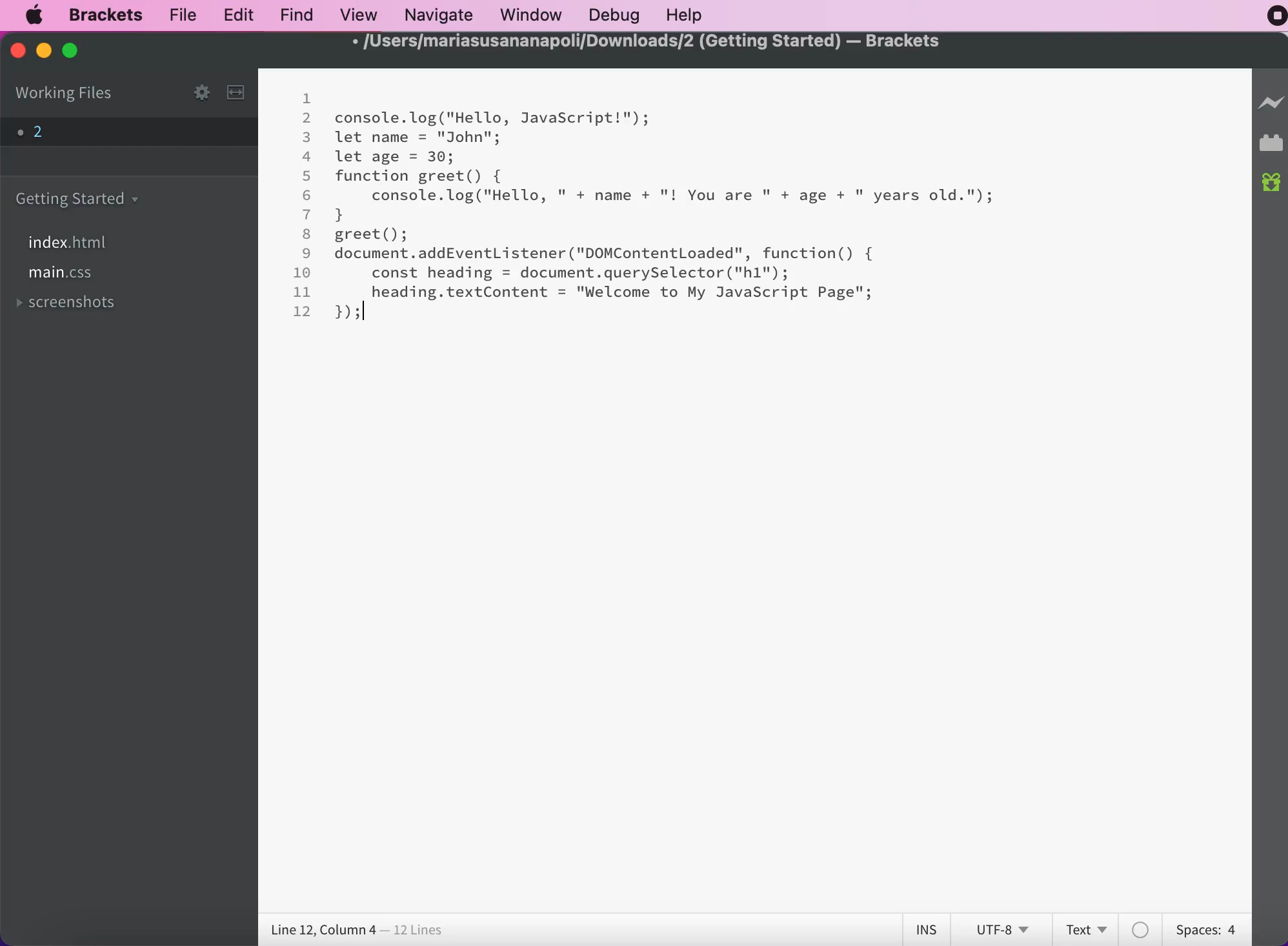 The width and height of the screenshot is (1288, 946). I want to click on file main.css, so click(68, 276).